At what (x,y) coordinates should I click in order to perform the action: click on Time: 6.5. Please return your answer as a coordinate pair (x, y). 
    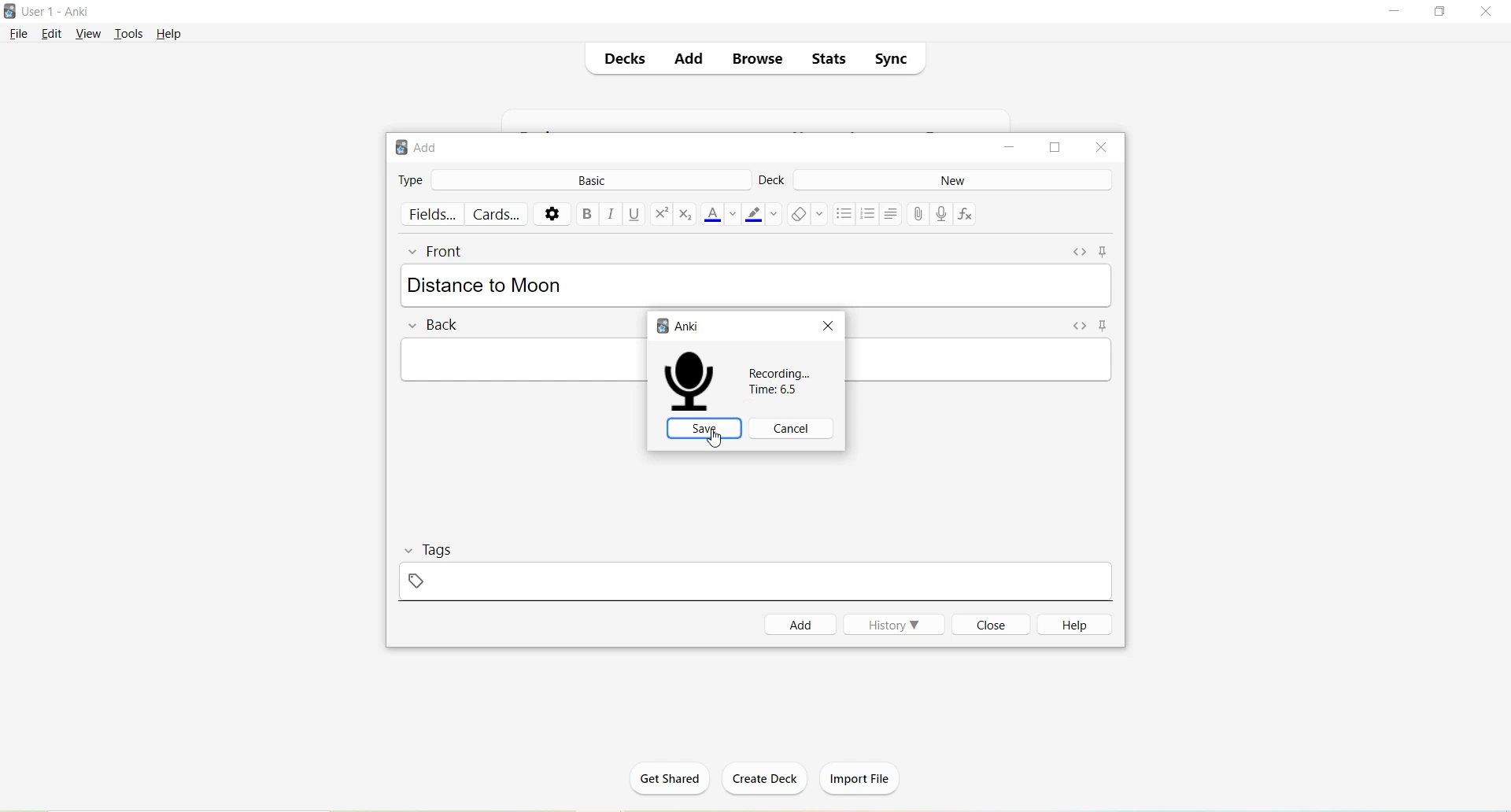
    Looking at the image, I should click on (781, 390).